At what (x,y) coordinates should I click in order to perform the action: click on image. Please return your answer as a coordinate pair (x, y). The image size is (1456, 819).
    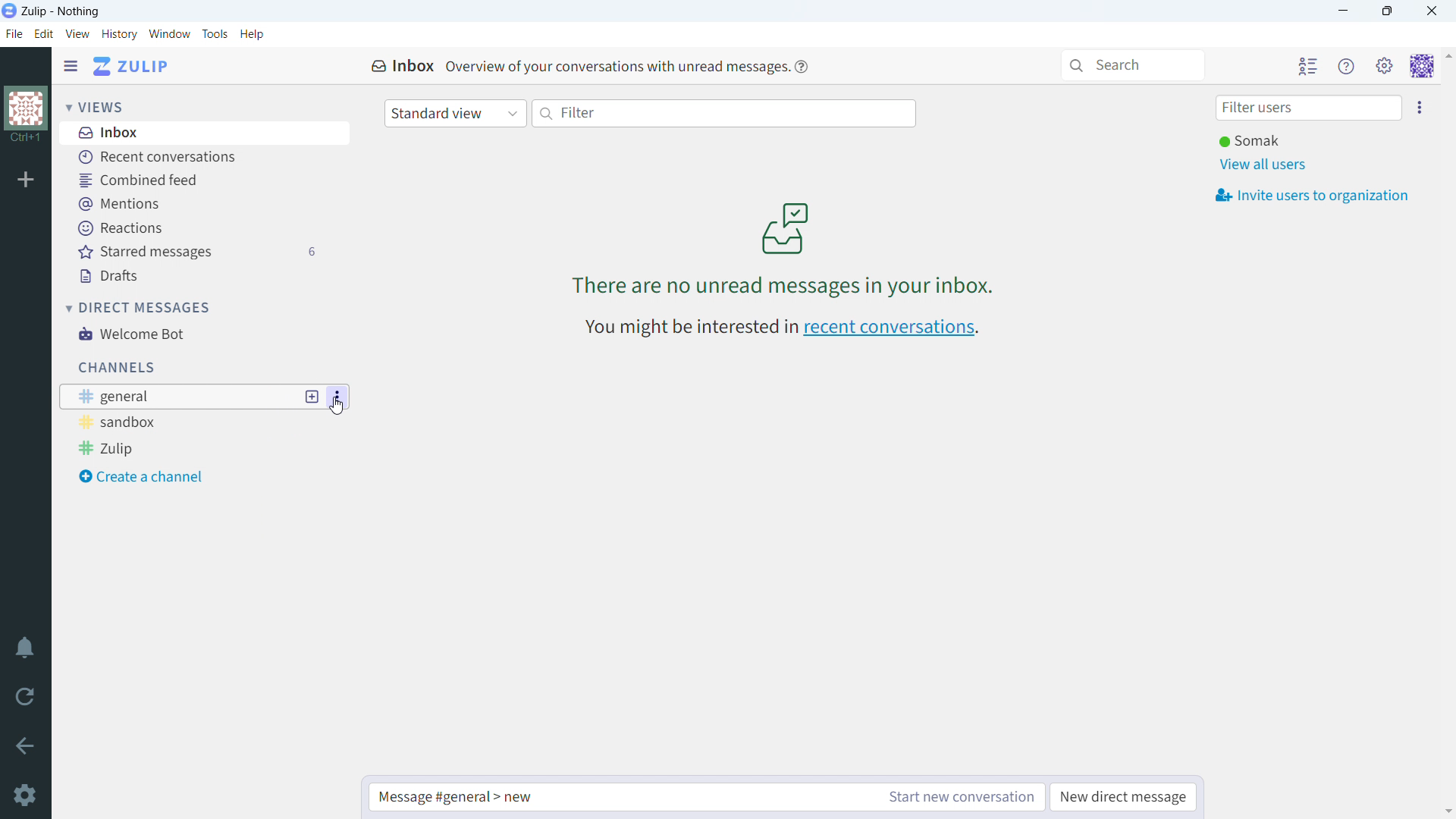
    Looking at the image, I should click on (785, 227).